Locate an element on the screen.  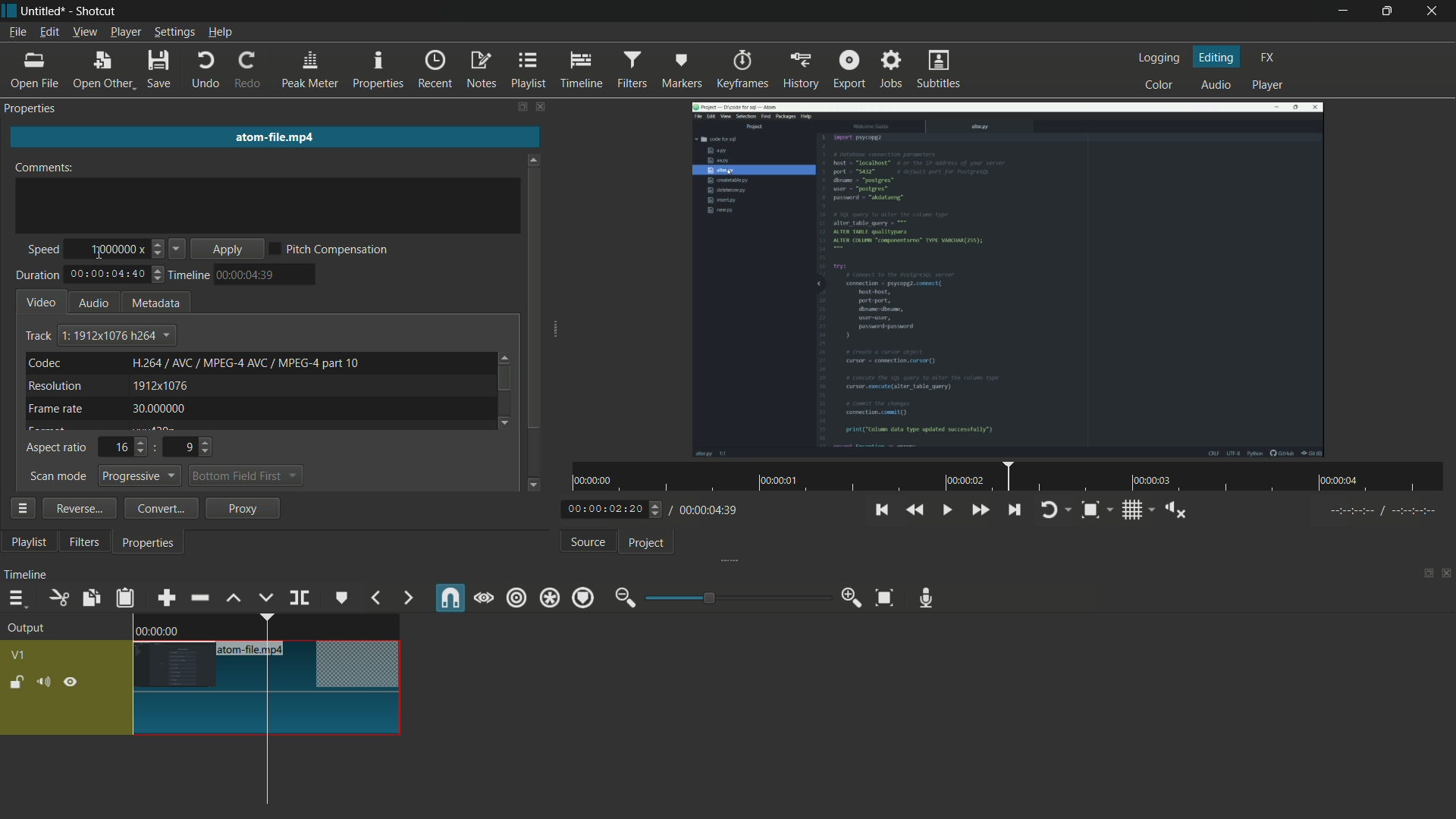
minimize is located at coordinates (1345, 11).